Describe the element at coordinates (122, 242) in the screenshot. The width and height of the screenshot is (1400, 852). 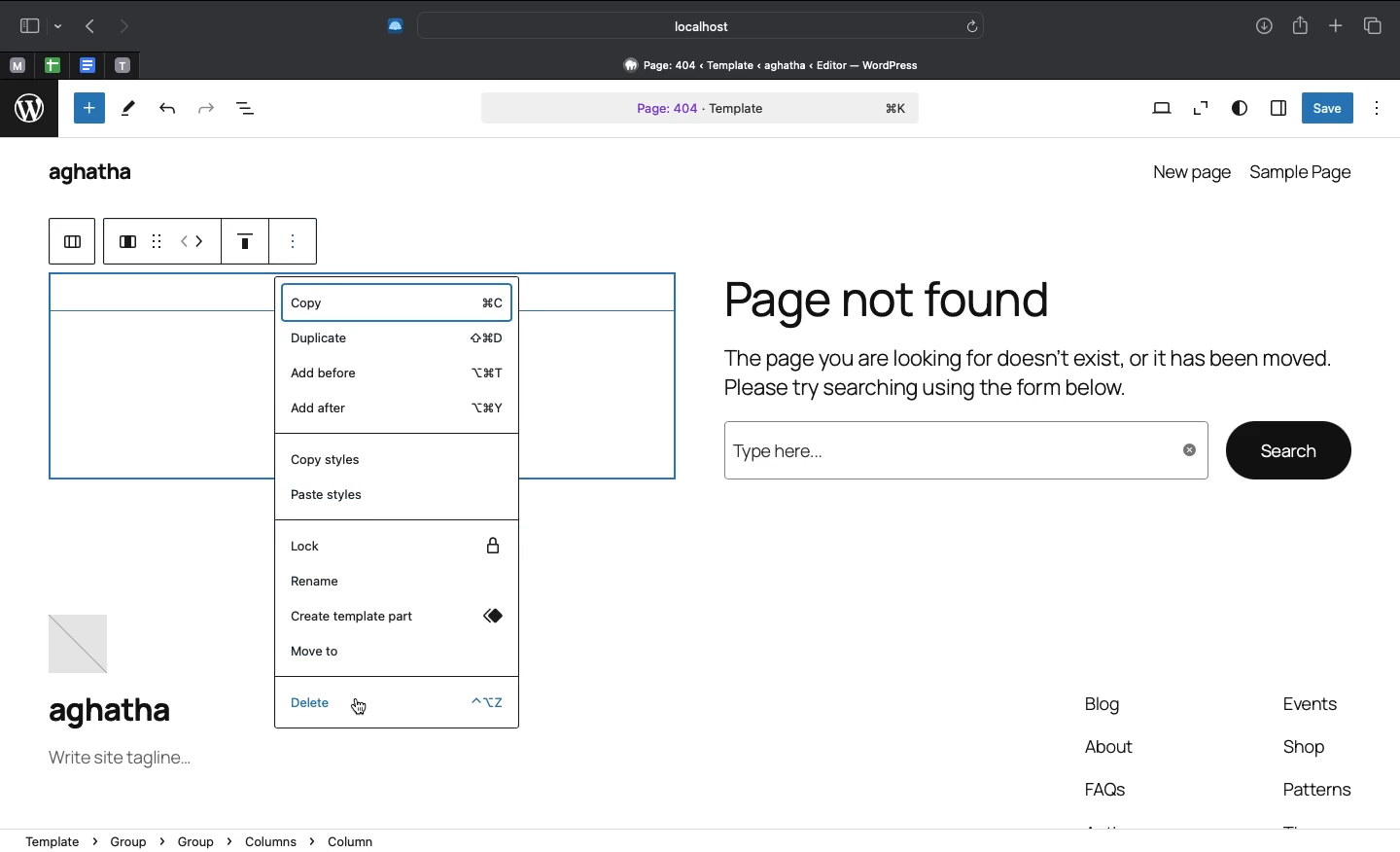
I see `group` at that location.